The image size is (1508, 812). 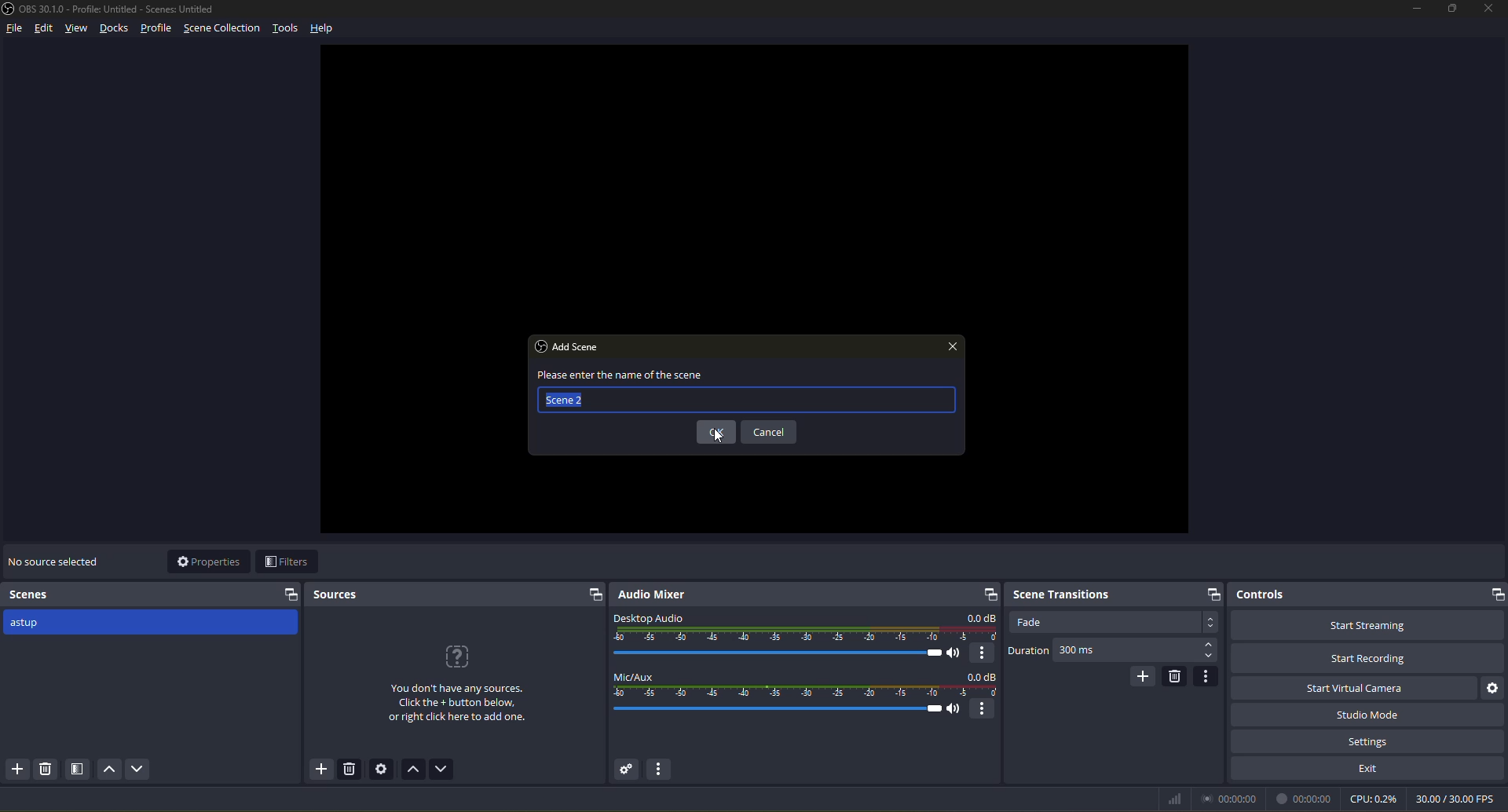 I want to click on more options, so click(x=983, y=709).